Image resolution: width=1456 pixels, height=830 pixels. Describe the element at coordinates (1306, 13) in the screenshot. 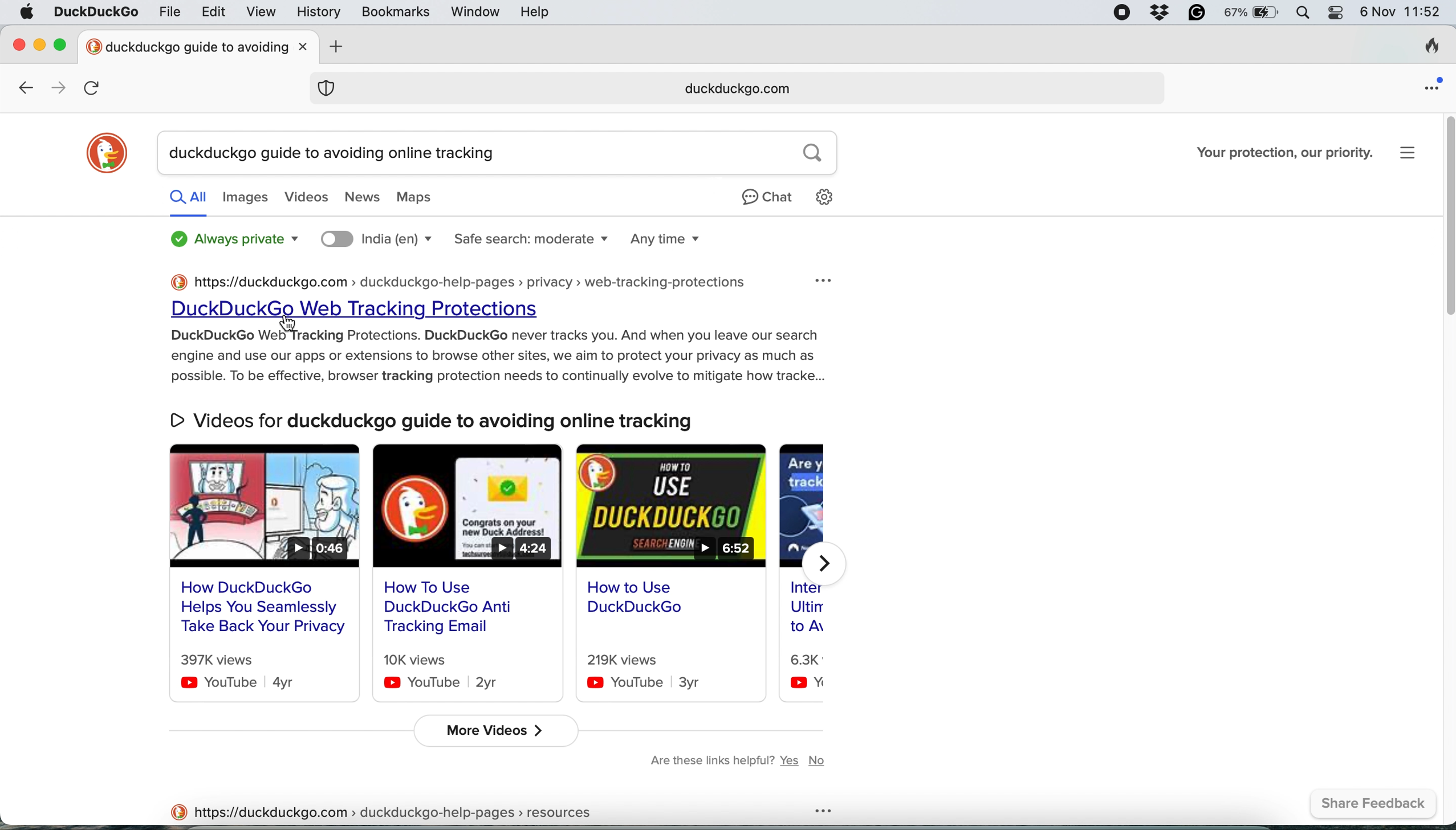

I see `spotlight search` at that location.